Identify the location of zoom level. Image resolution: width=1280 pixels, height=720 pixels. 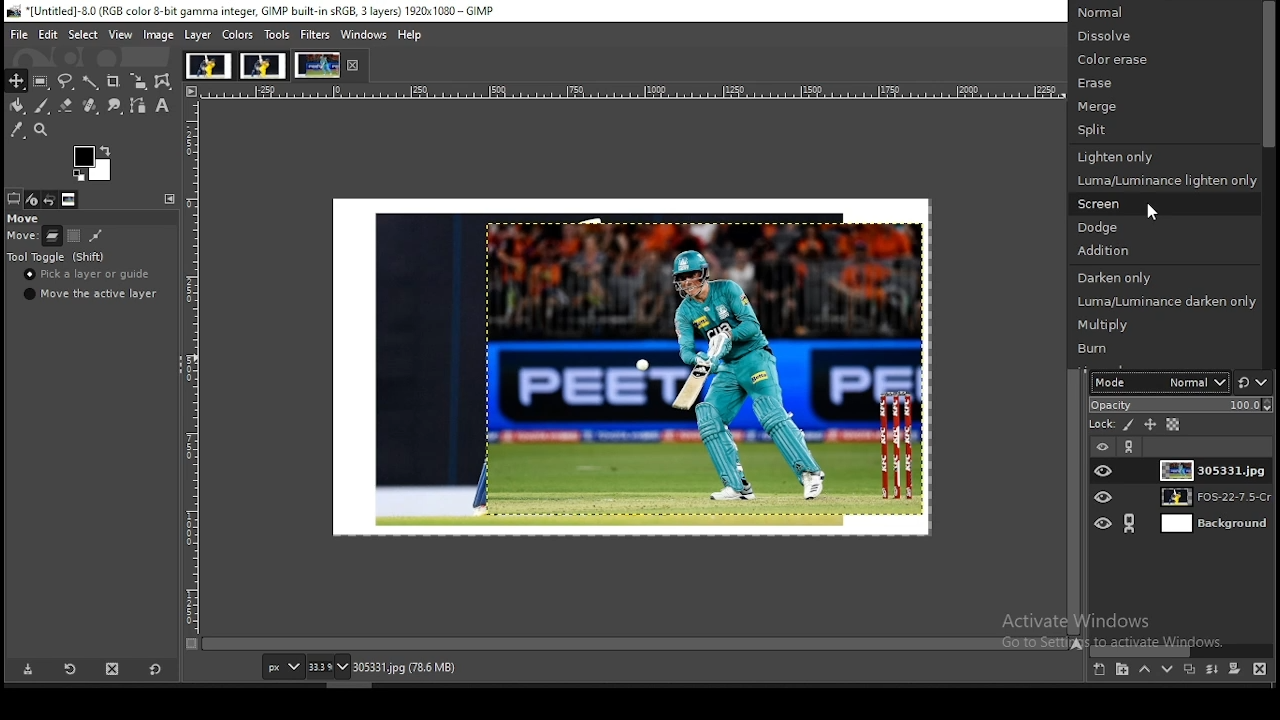
(328, 666).